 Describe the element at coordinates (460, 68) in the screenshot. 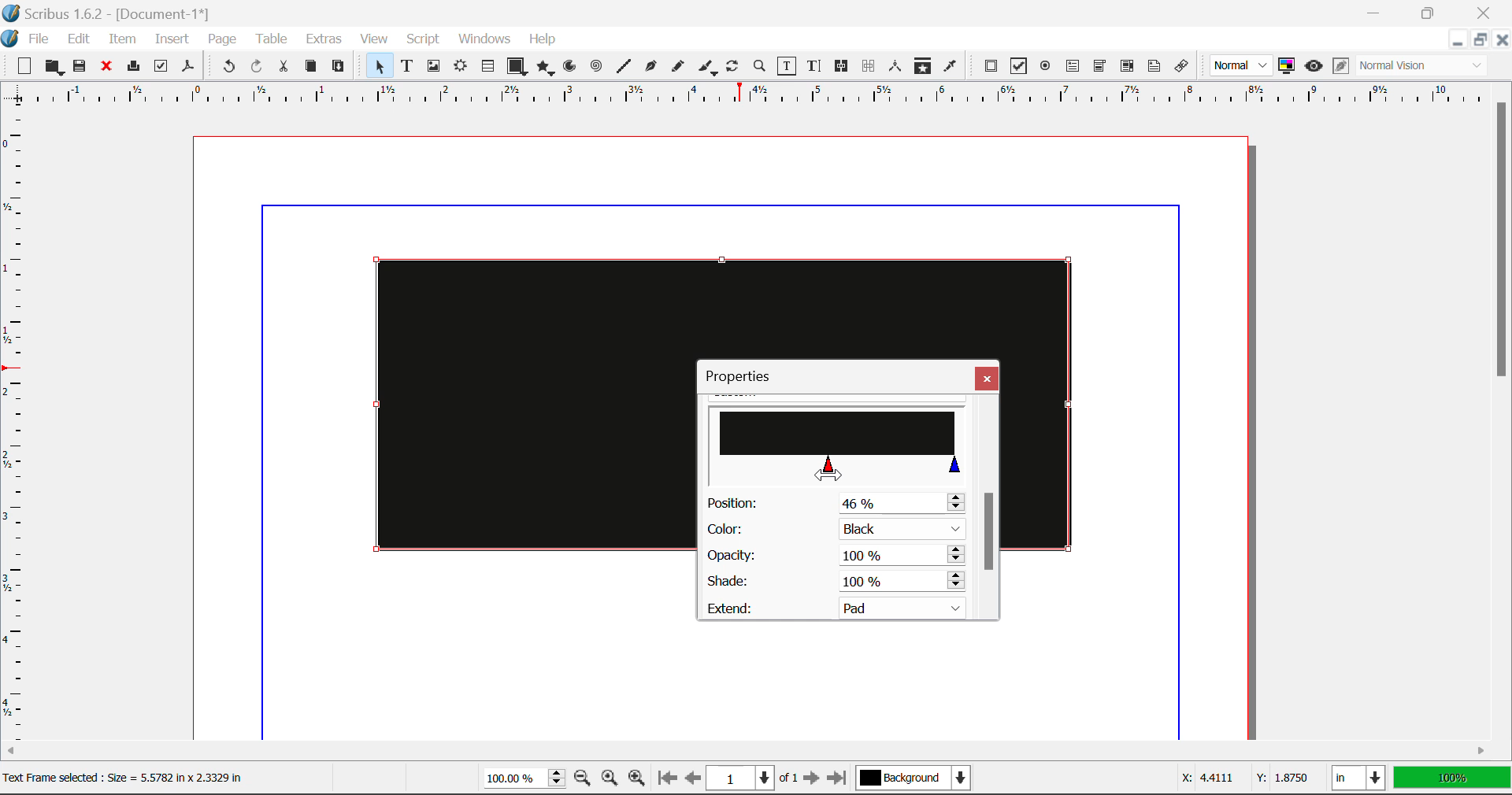

I see `Render Frame` at that location.